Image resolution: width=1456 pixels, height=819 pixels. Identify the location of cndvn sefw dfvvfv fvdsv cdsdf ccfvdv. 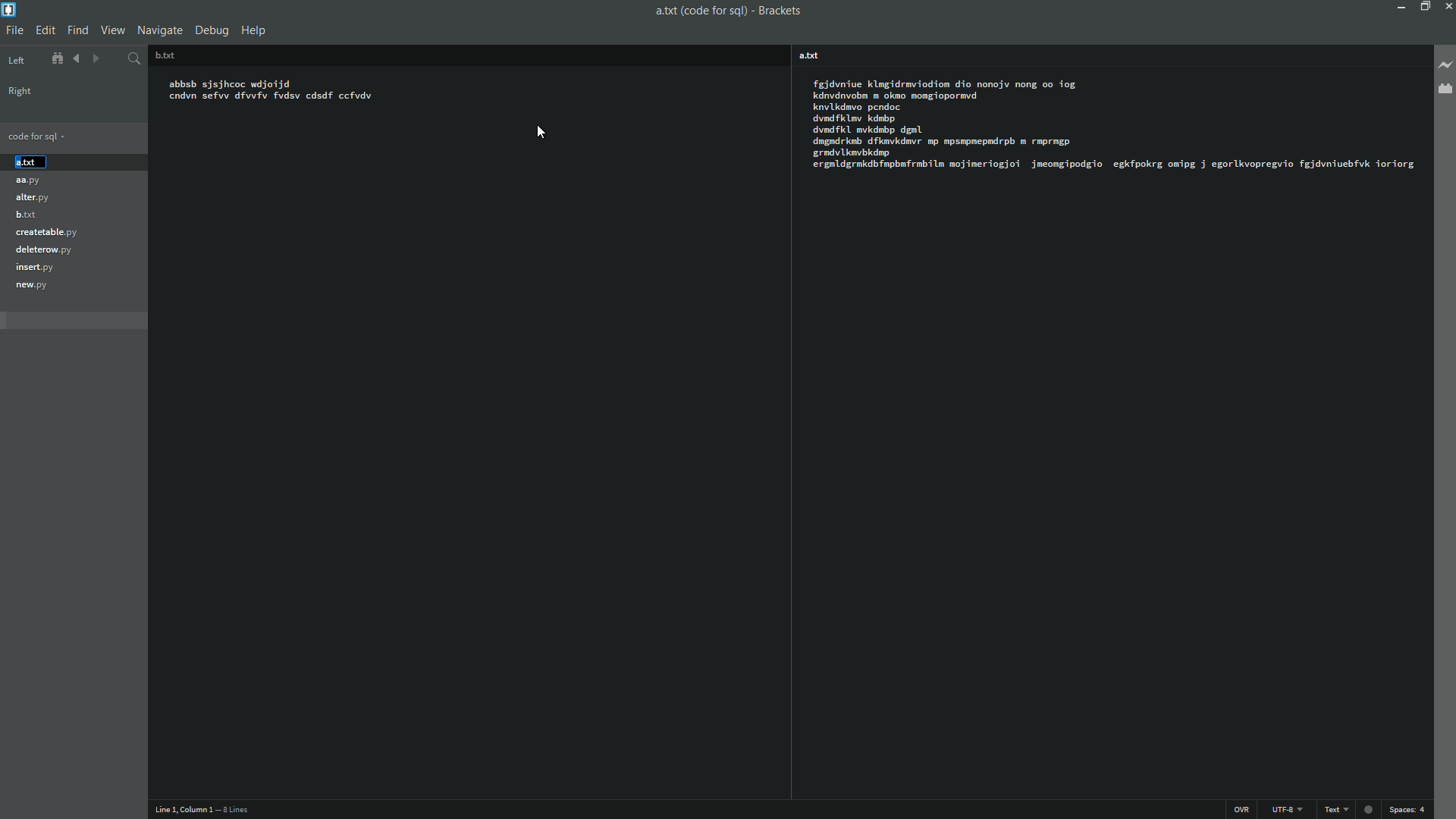
(272, 99).